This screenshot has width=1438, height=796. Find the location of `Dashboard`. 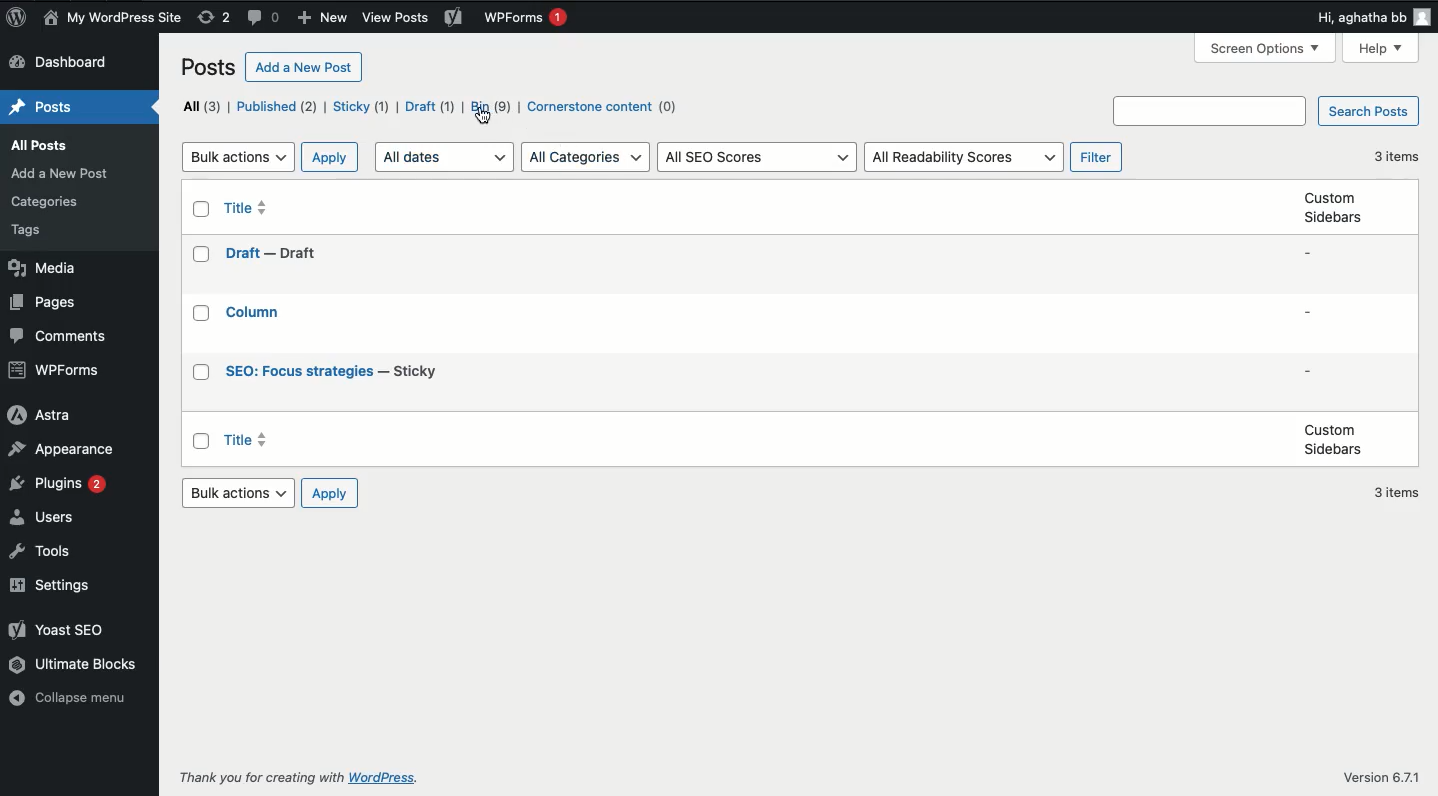

Dashboard is located at coordinates (68, 63).